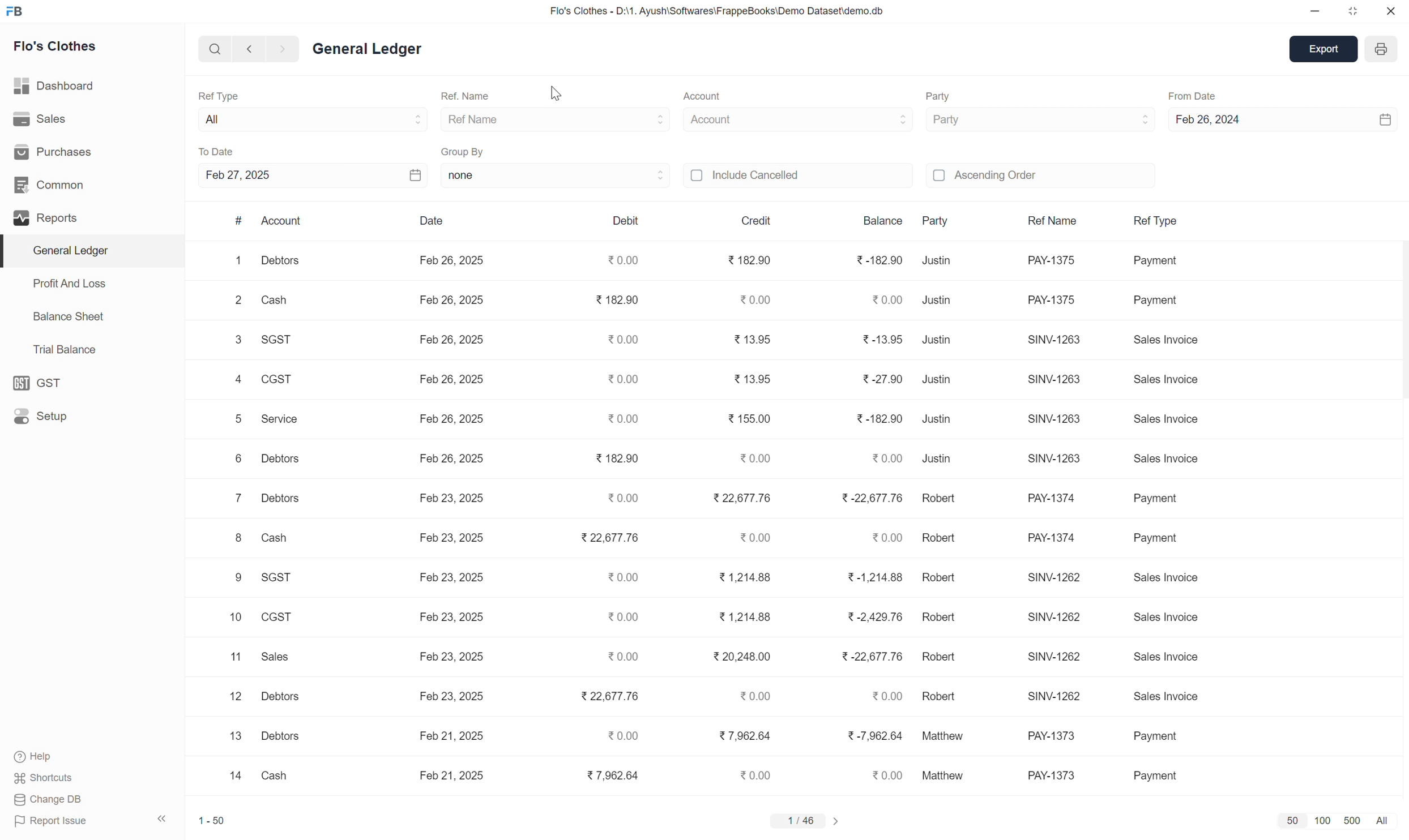 Image resolution: width=1409 pixels, height=840 pixels. I want to click on 7, so click(239, 497).